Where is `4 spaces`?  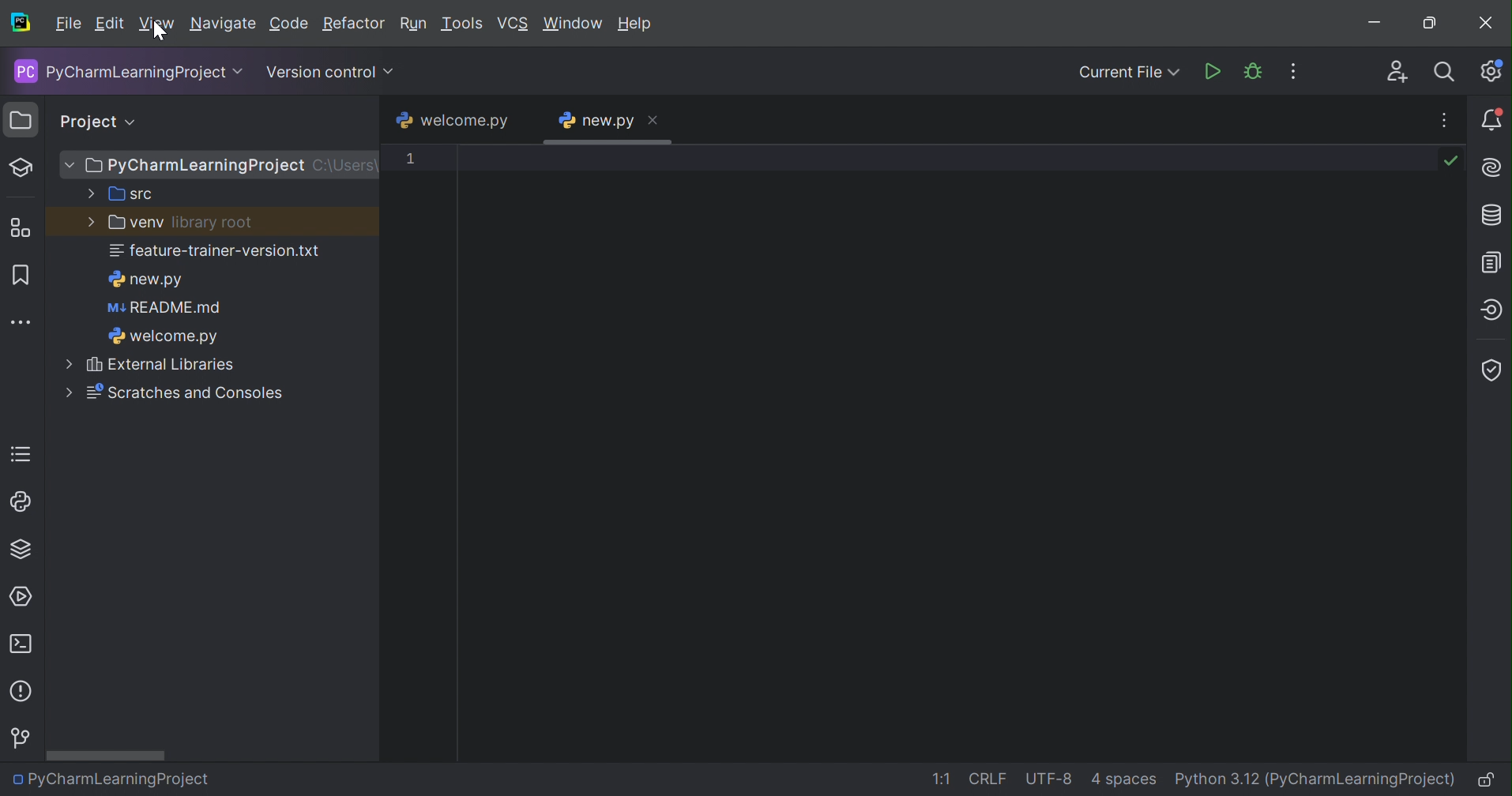
4 spaces is located at coordinates (1126, 782).